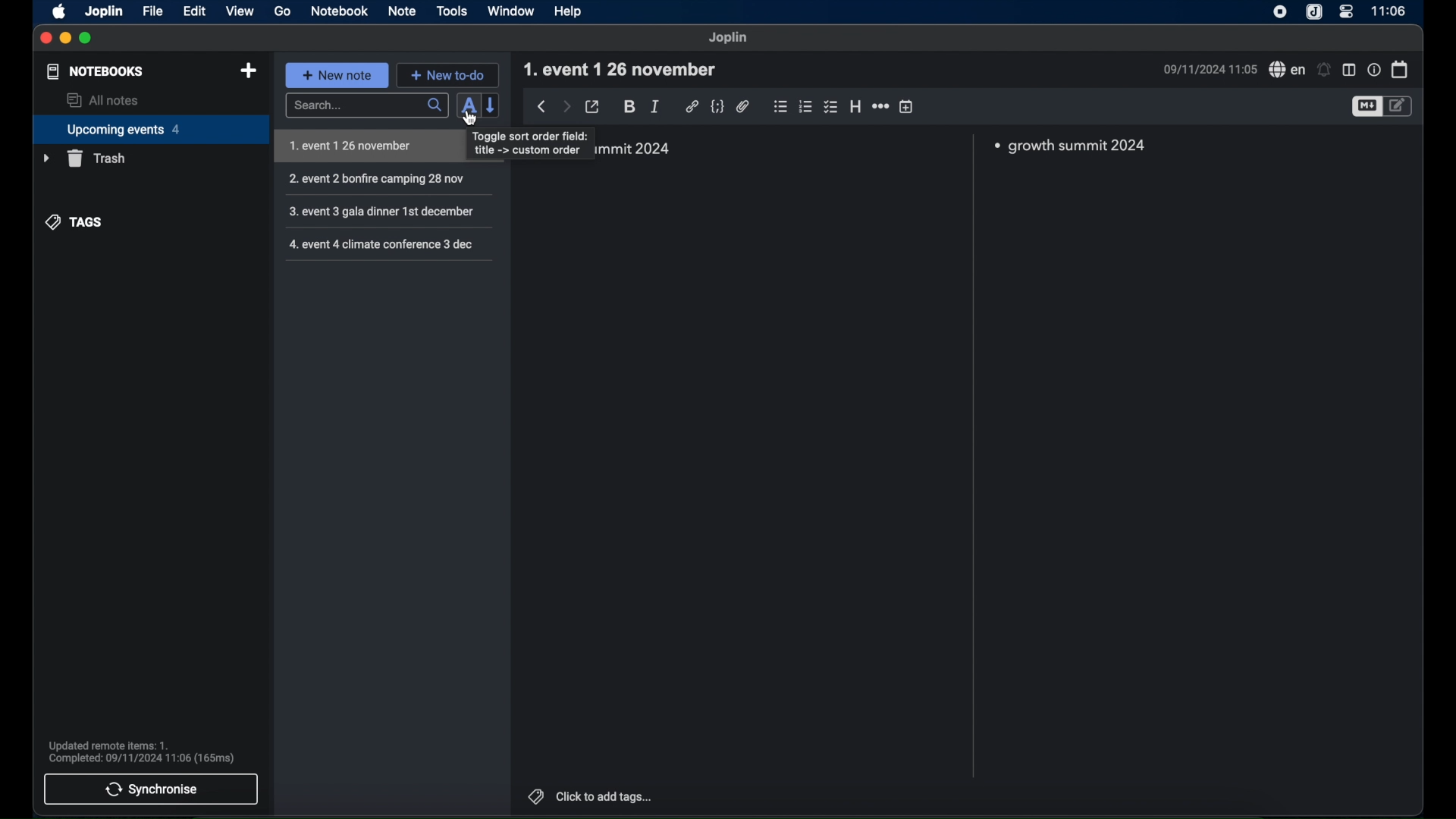 This screenshot has height=819, width=1456. What do you see at coordinates (655, 106) in the screenshot?
I see `italic` at bounding box center [655, 106].